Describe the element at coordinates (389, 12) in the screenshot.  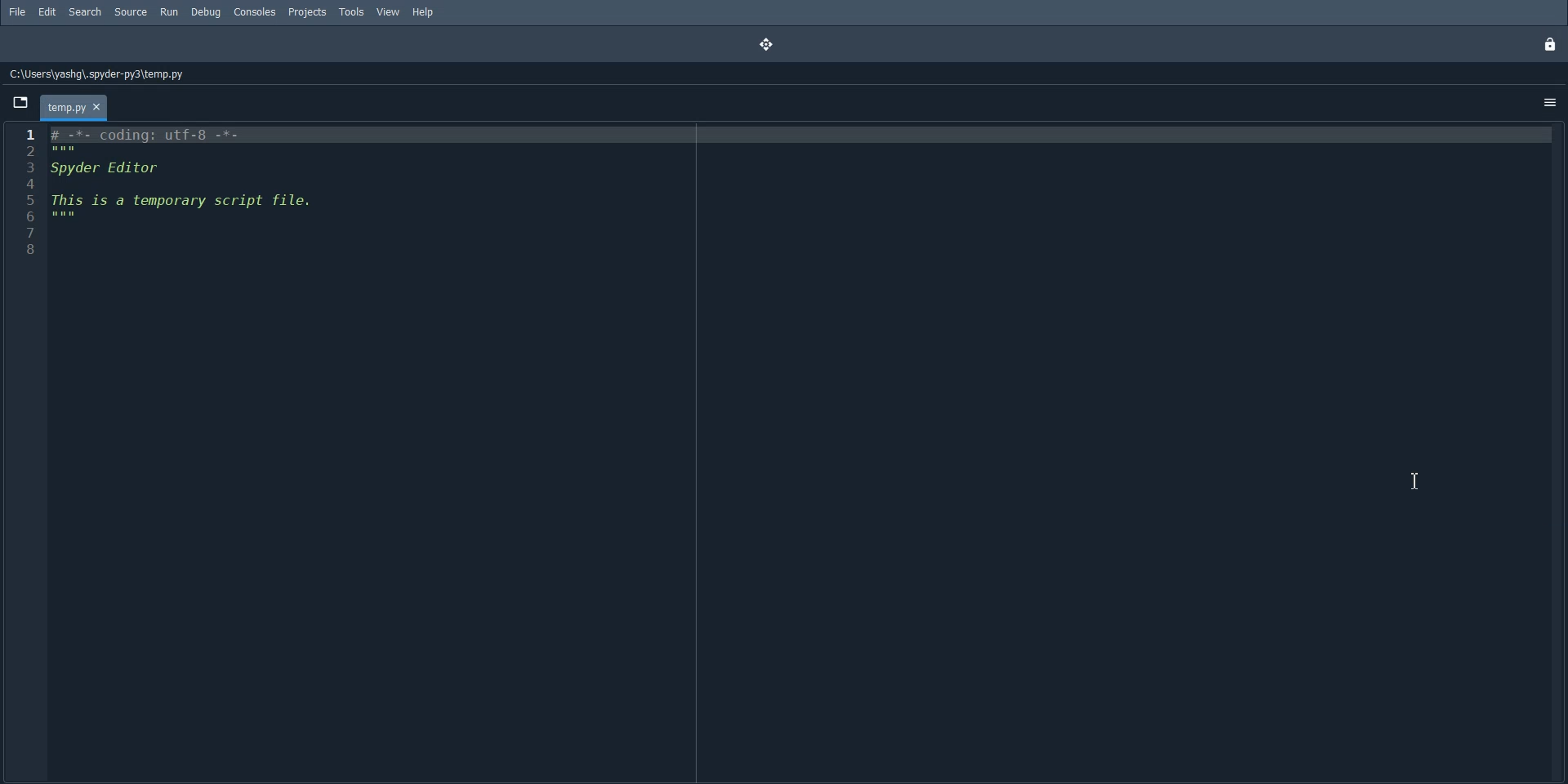
I see `View` at that location.